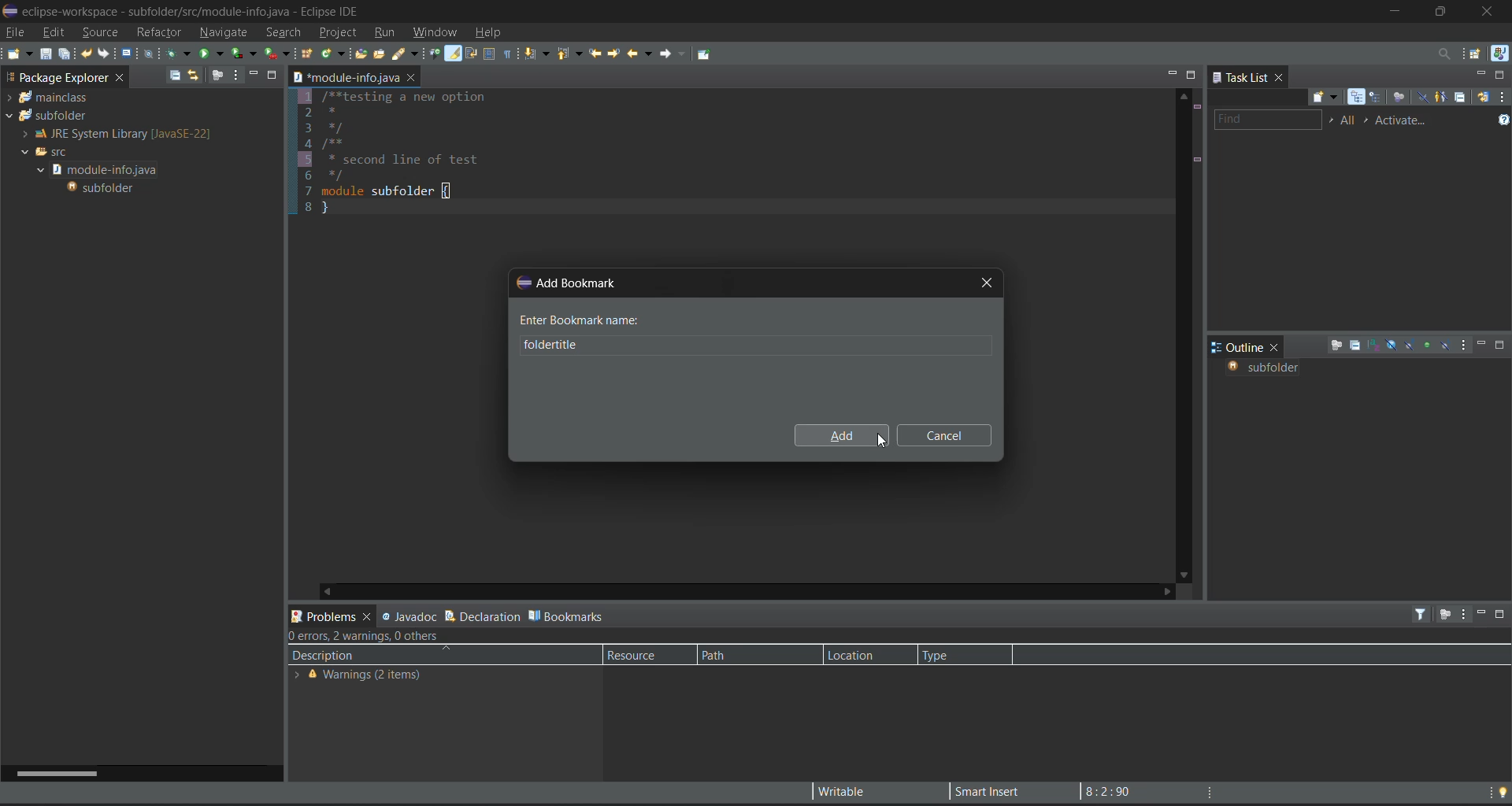 This screenshot has width=1512, height=806. I want to click on maximize, so click(1503, 616).